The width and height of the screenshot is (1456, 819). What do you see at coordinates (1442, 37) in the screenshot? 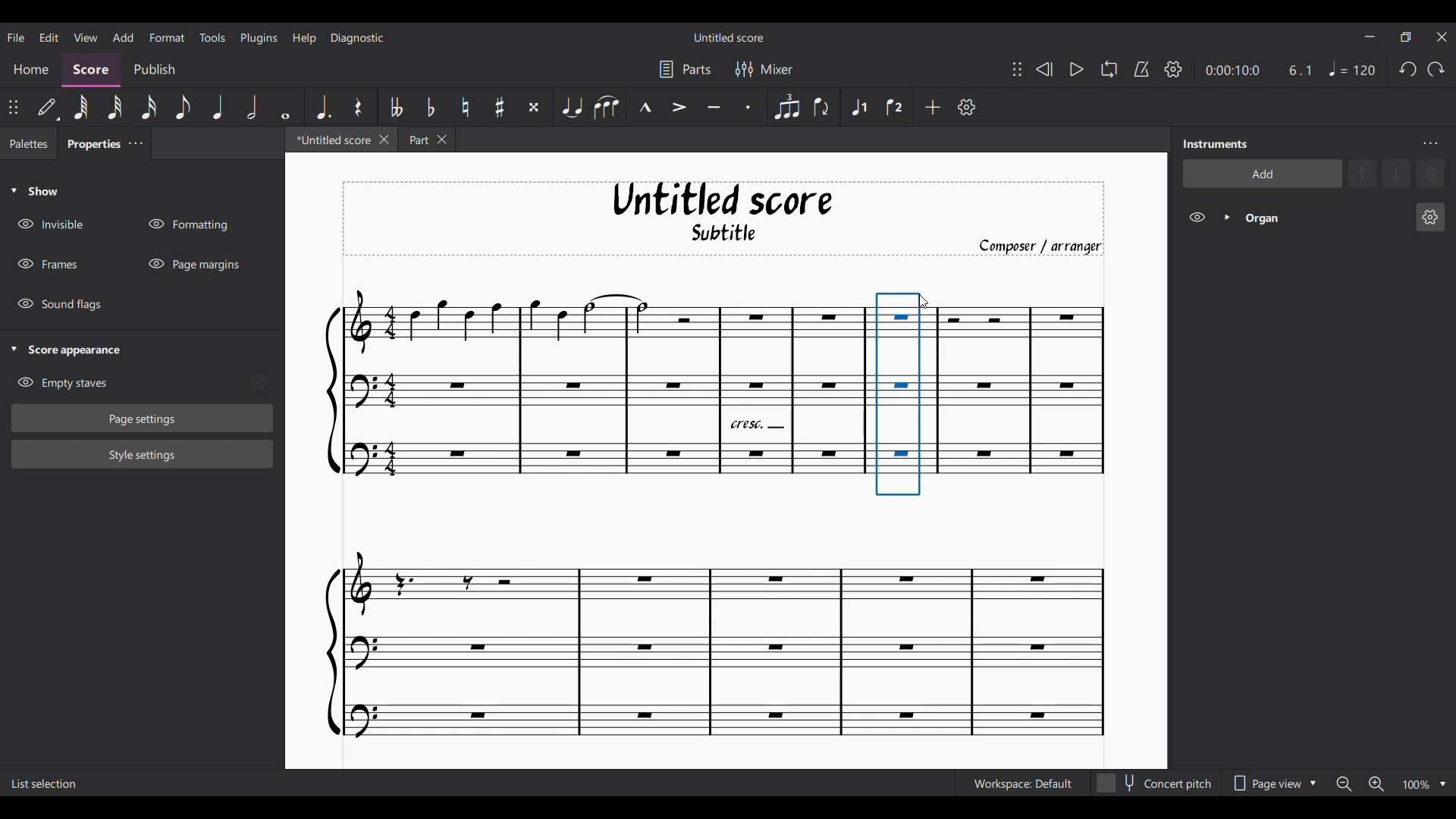
I see `Close interface` at bounding box center [1442, 37].